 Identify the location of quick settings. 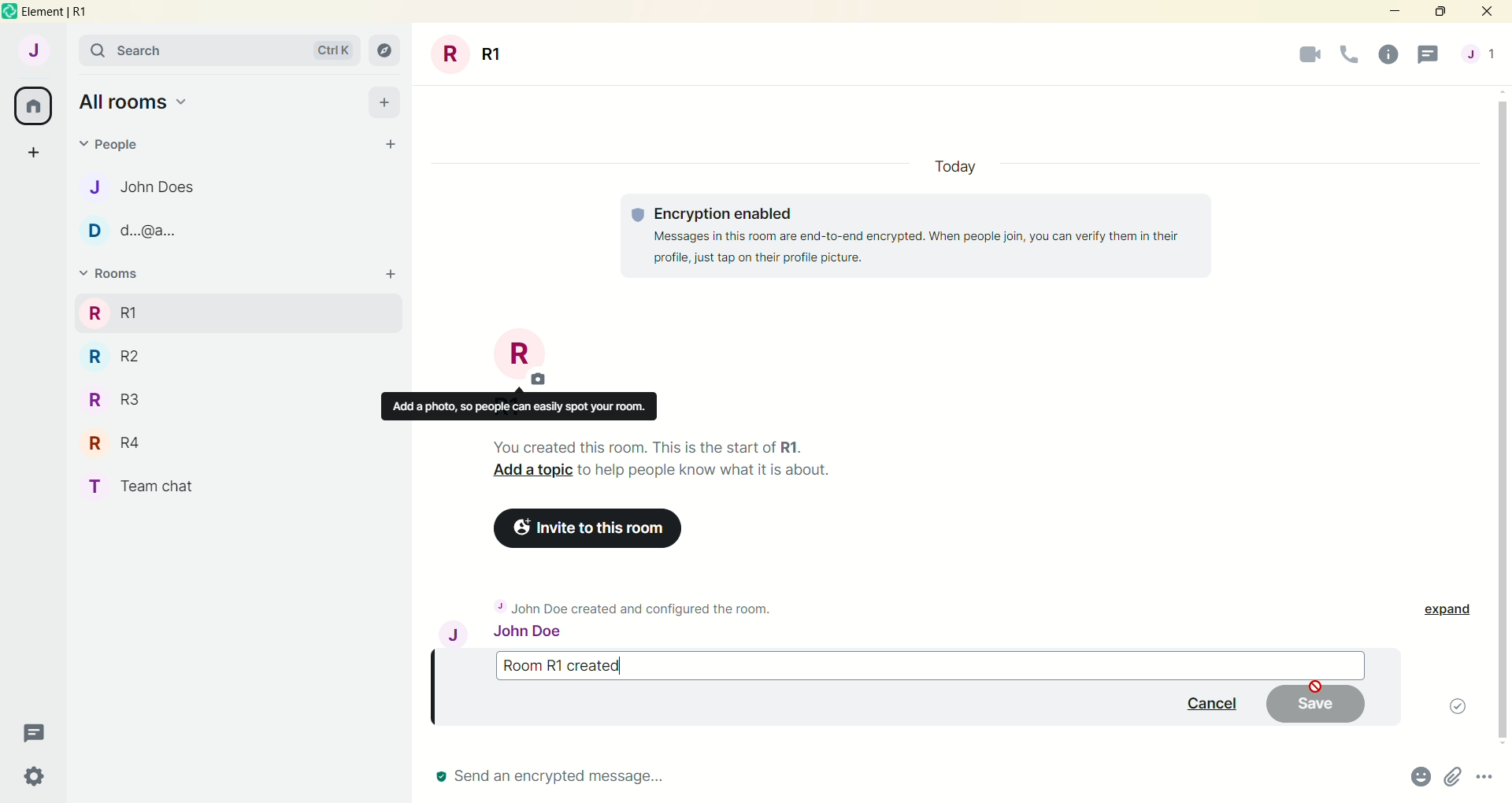
(40, 774).